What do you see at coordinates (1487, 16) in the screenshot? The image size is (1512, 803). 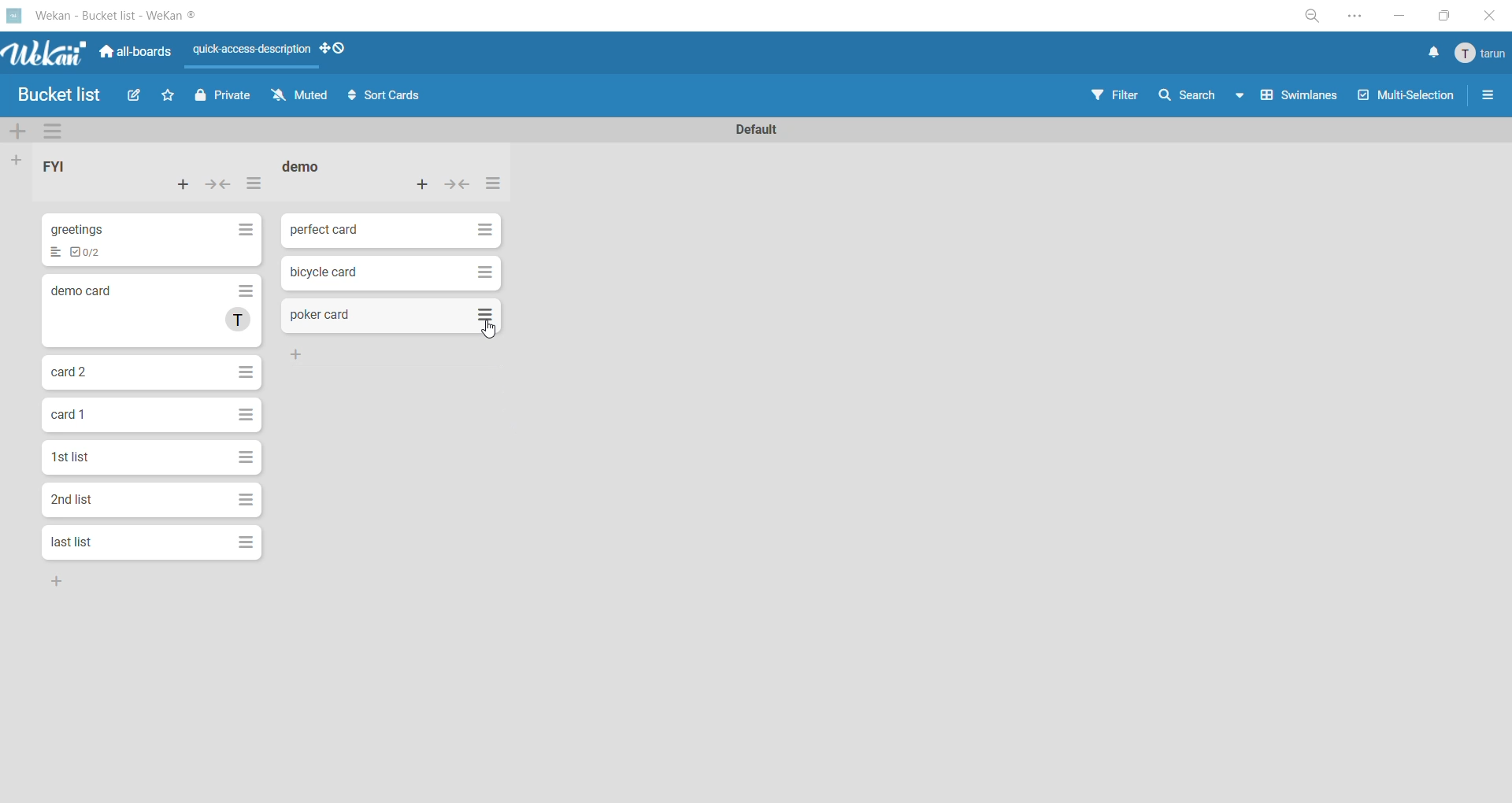 I see `close` at bounding box center [1487, 16].